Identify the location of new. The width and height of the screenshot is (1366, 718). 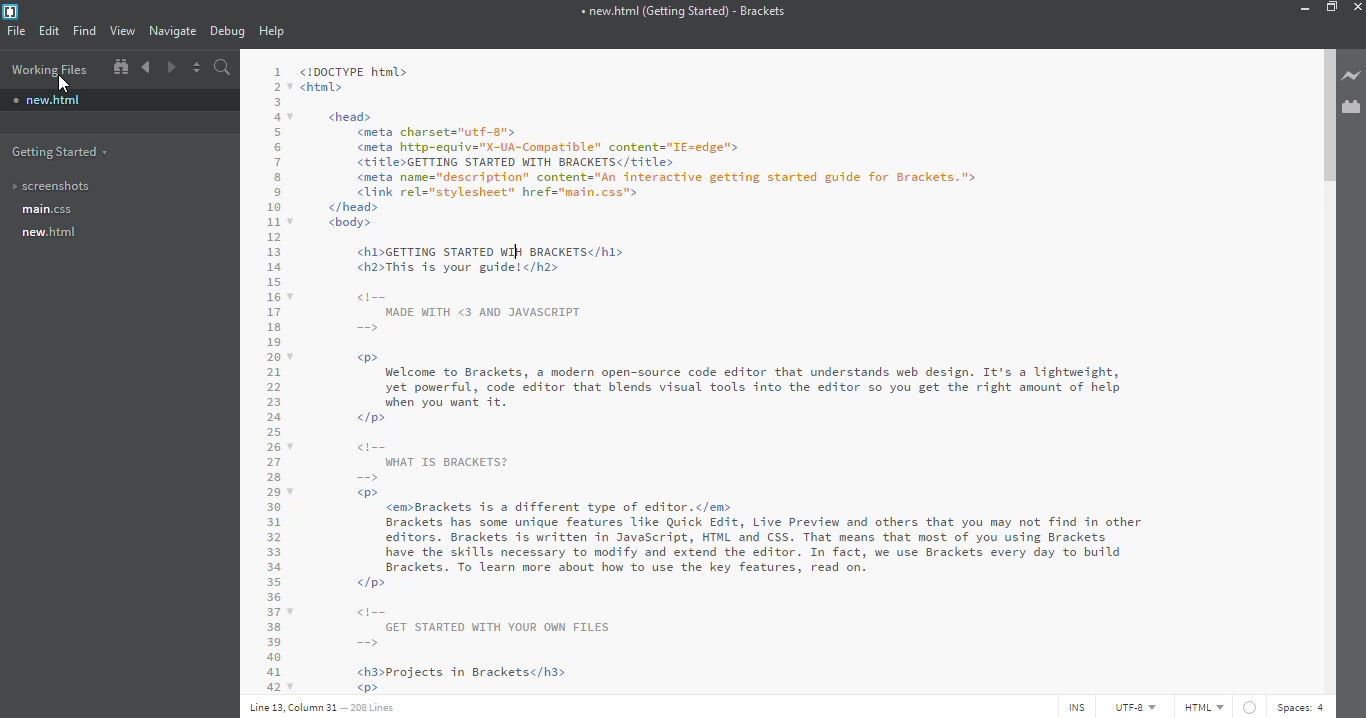
(53, 100).